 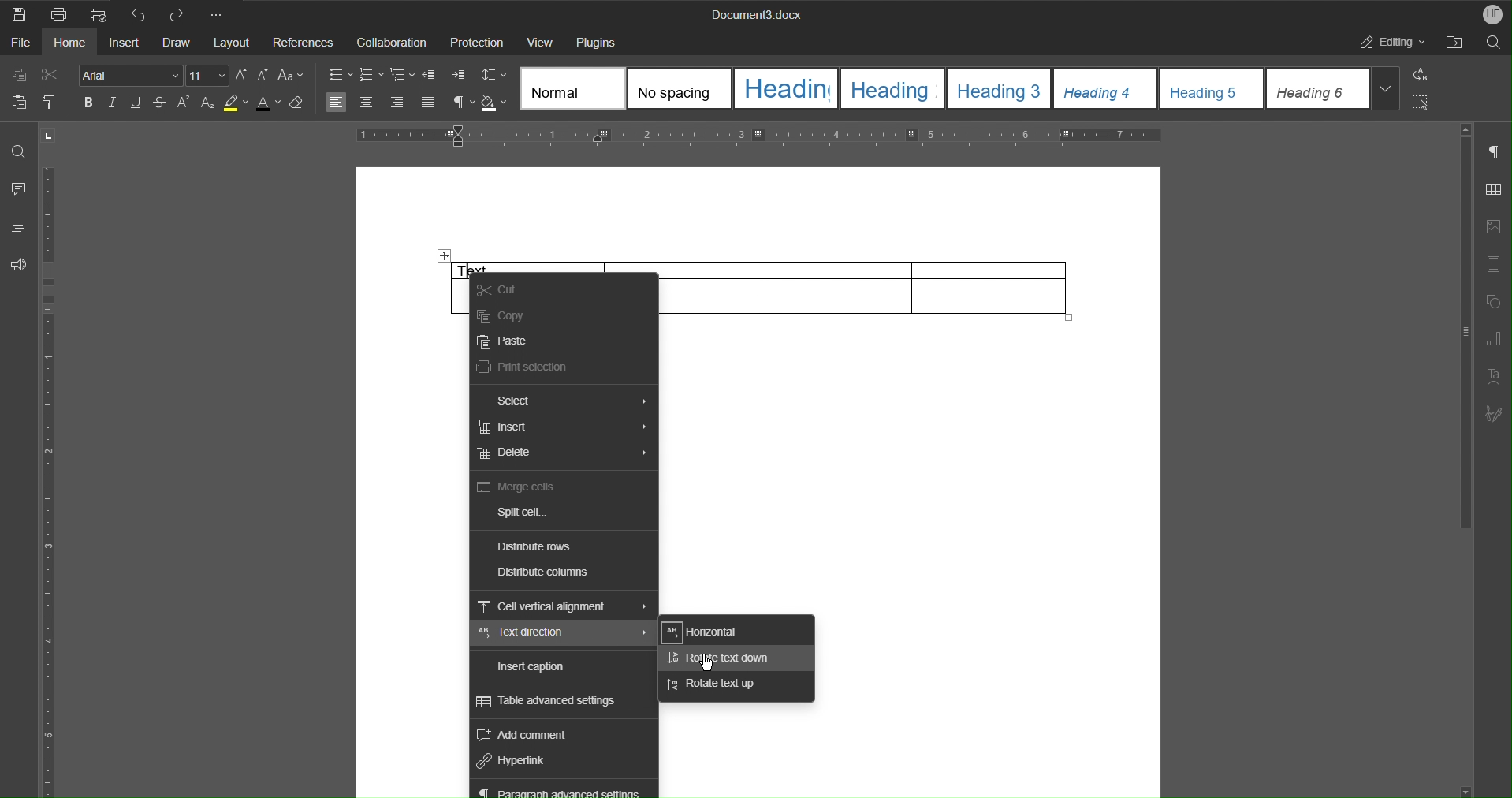 I want to click on Undo, so click(x=138, y=13).